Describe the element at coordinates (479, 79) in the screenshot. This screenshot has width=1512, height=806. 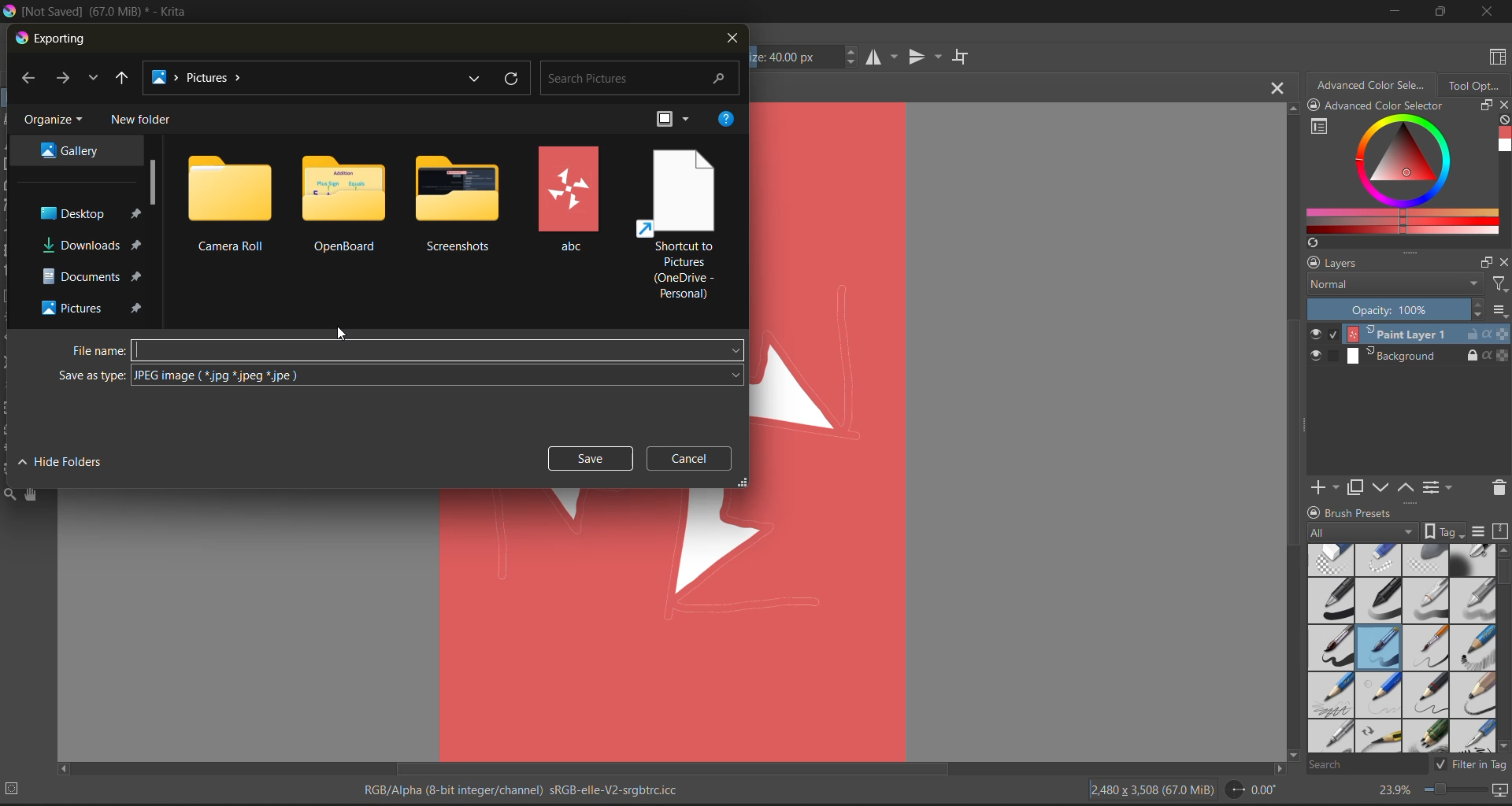
I see `recent` at that location.